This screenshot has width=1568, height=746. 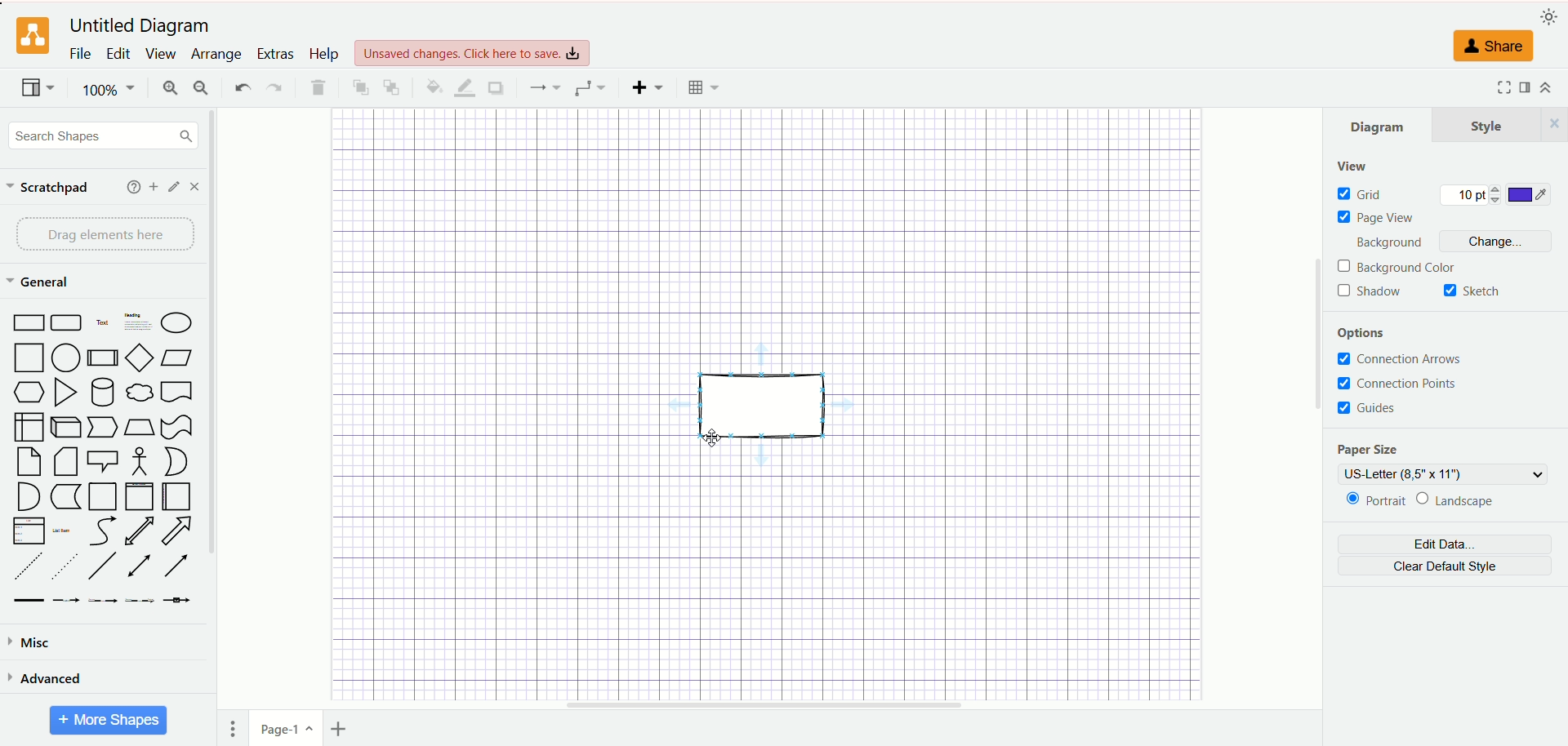 I want to click on fullscreen, so click(x=1501, y=87).